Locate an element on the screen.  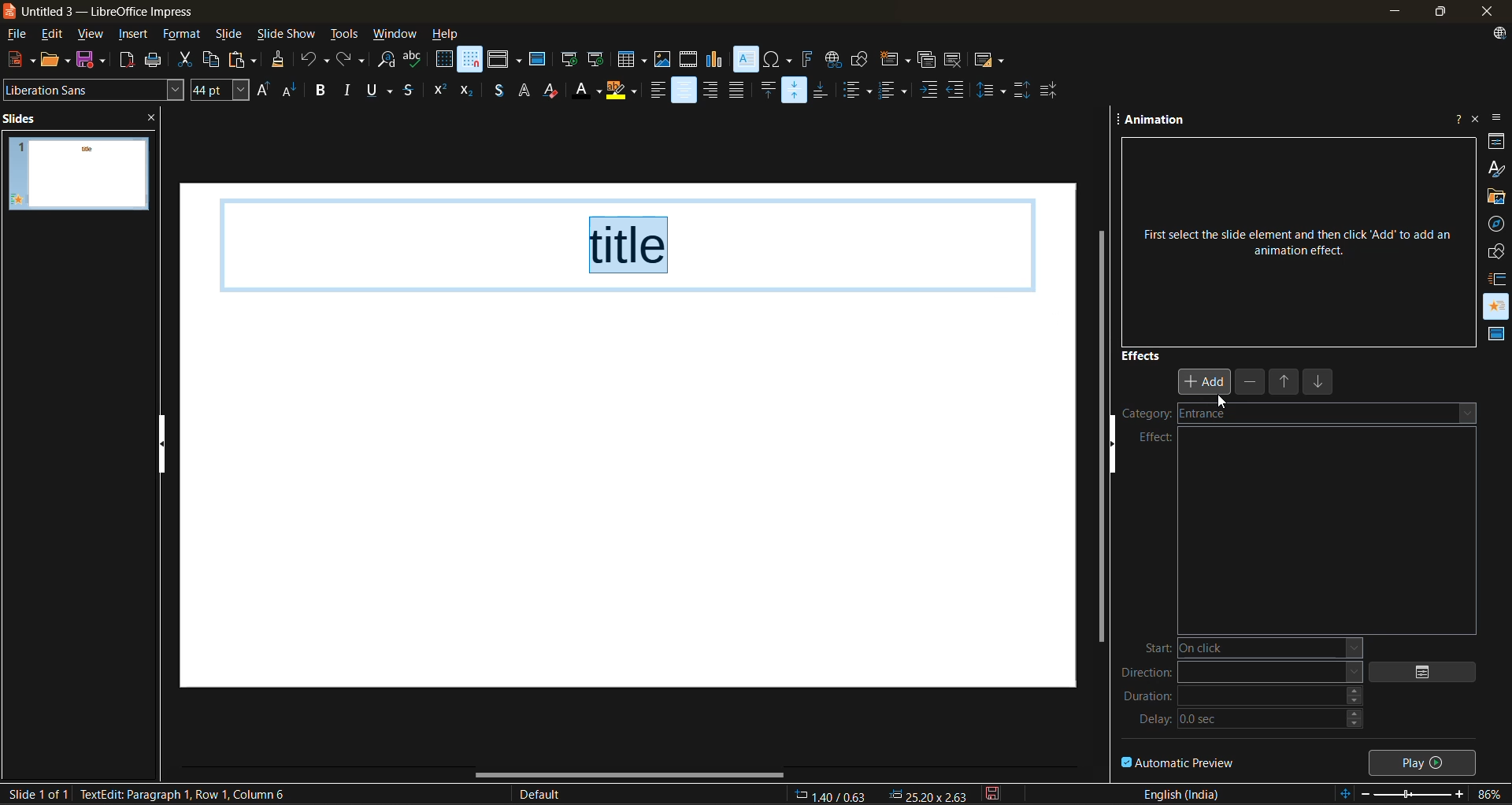
open is located at coordinates (57, 59).